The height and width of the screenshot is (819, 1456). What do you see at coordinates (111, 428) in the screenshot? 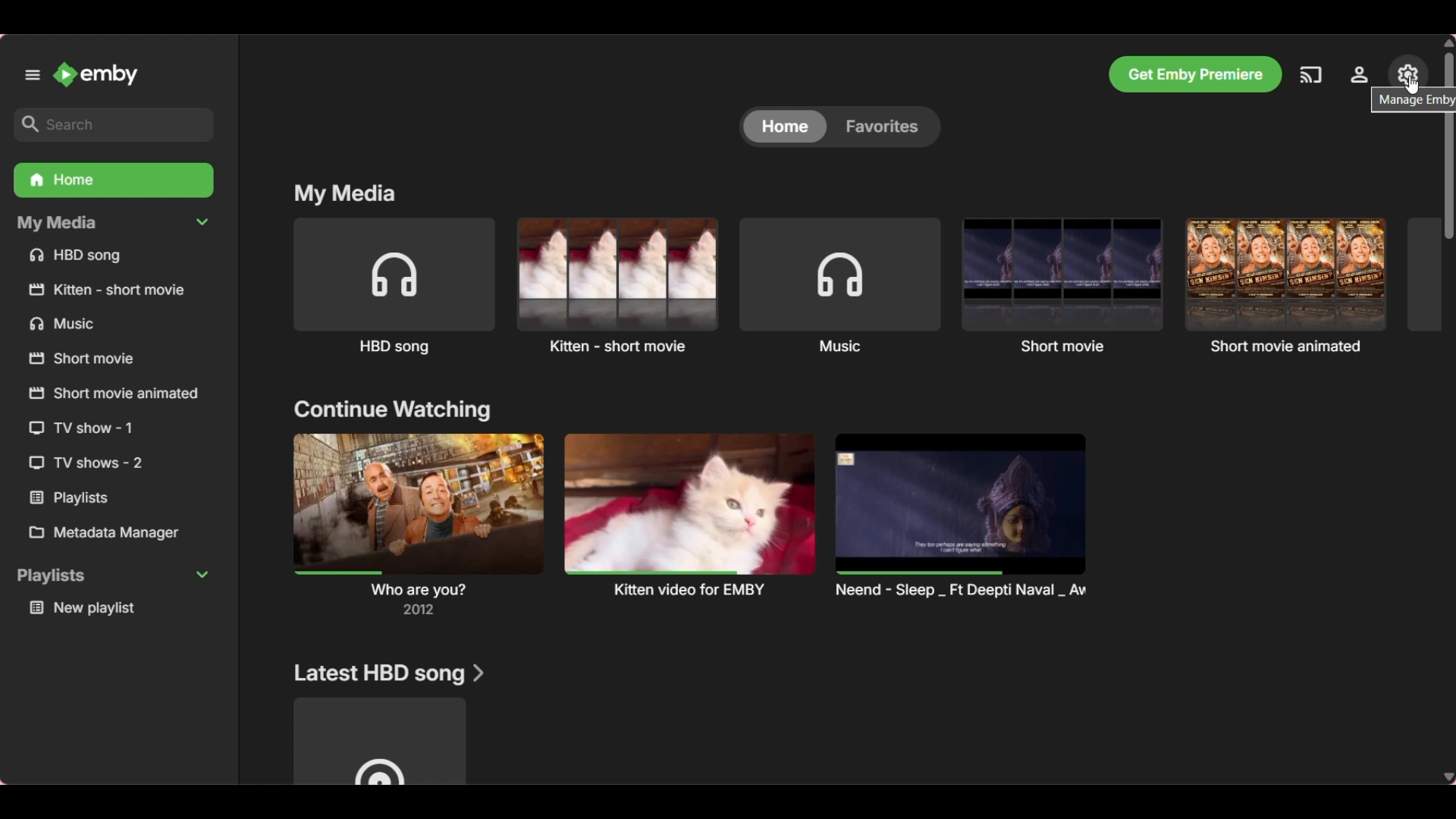
I see `TV show` at bounding box center [111, 428].